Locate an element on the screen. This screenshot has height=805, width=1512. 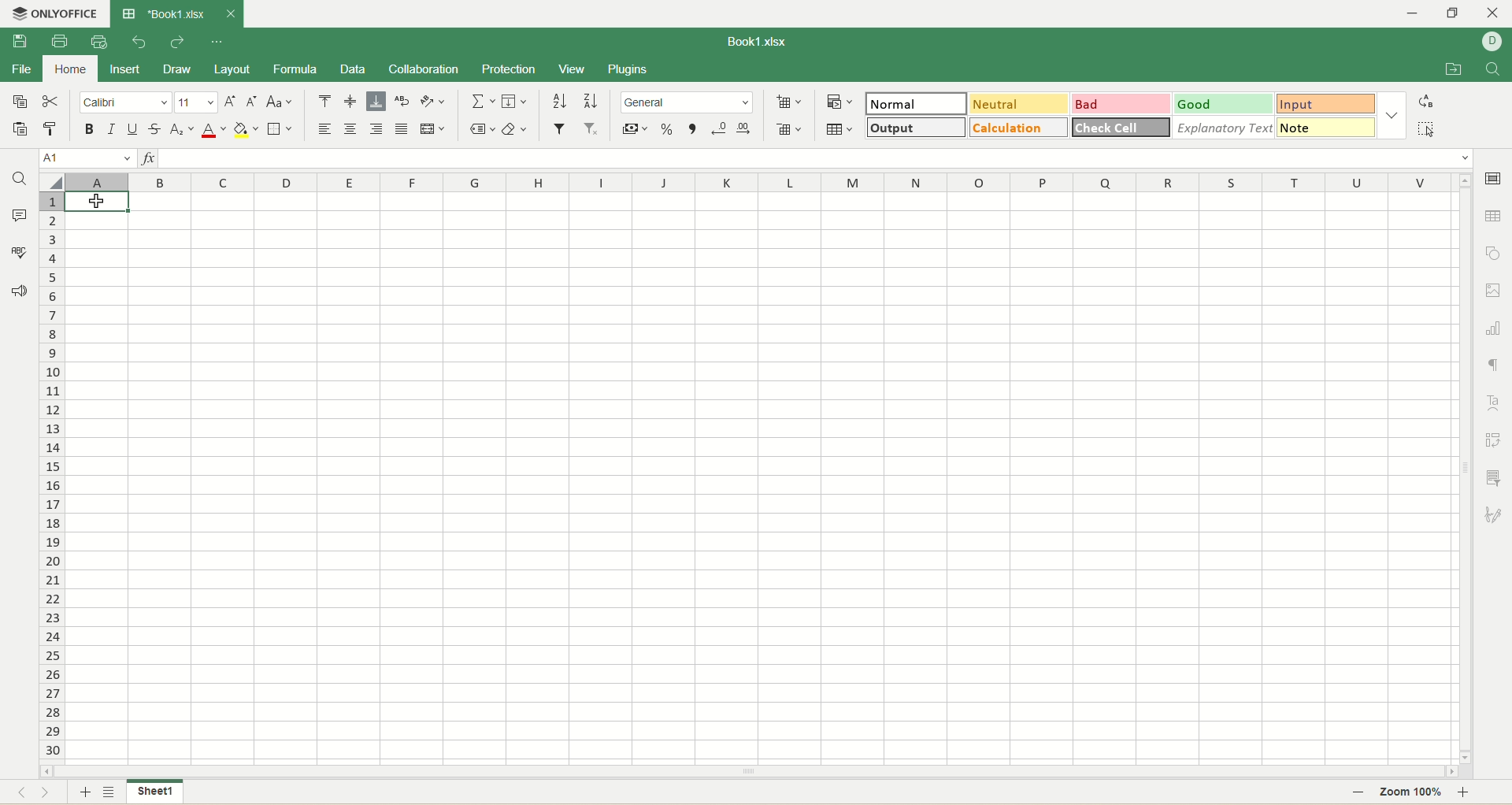
protection is located at coordinates (510, 70).